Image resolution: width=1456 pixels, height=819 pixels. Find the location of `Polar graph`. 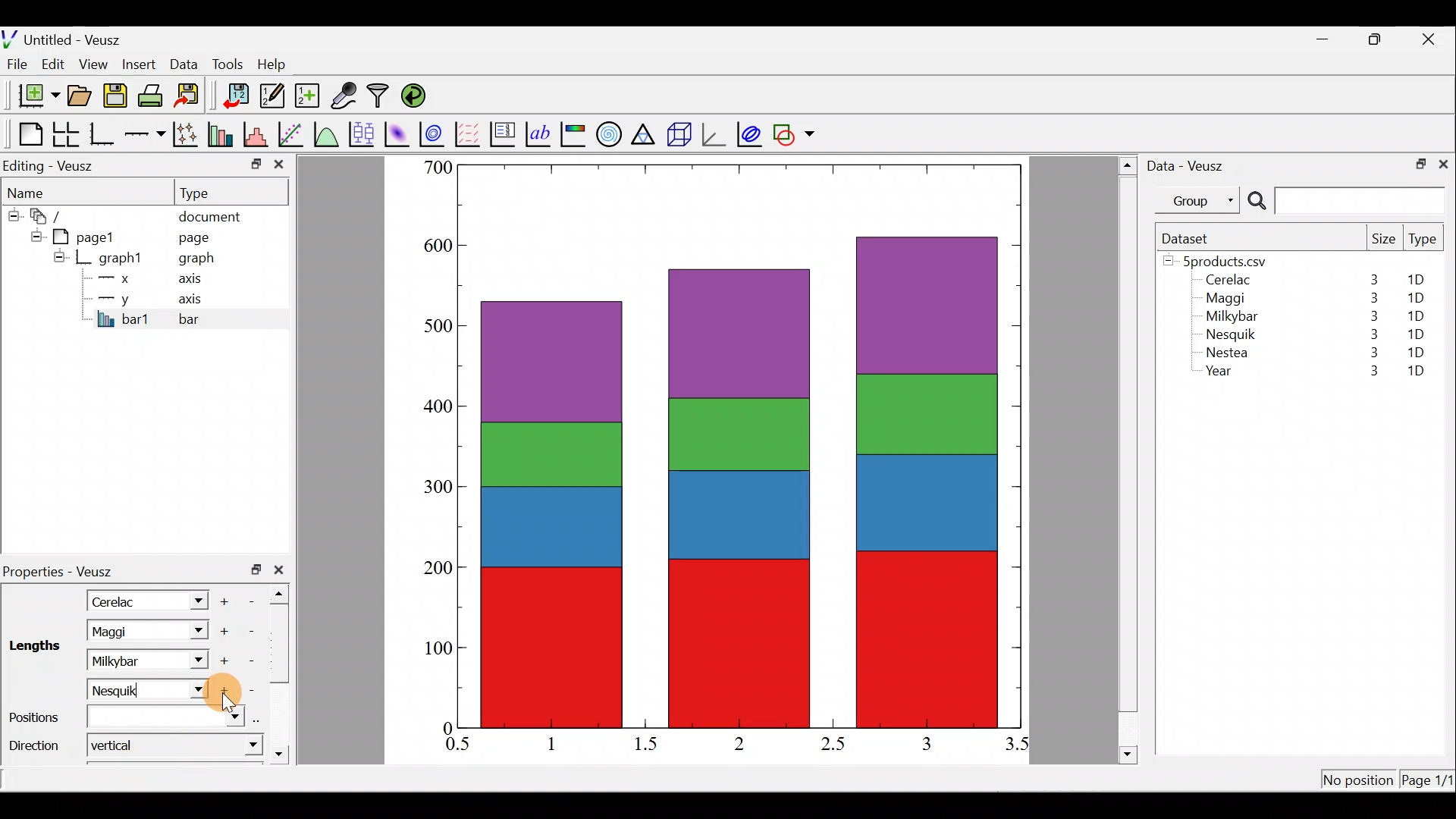

Polar graph is located at coordinates (606, 132).